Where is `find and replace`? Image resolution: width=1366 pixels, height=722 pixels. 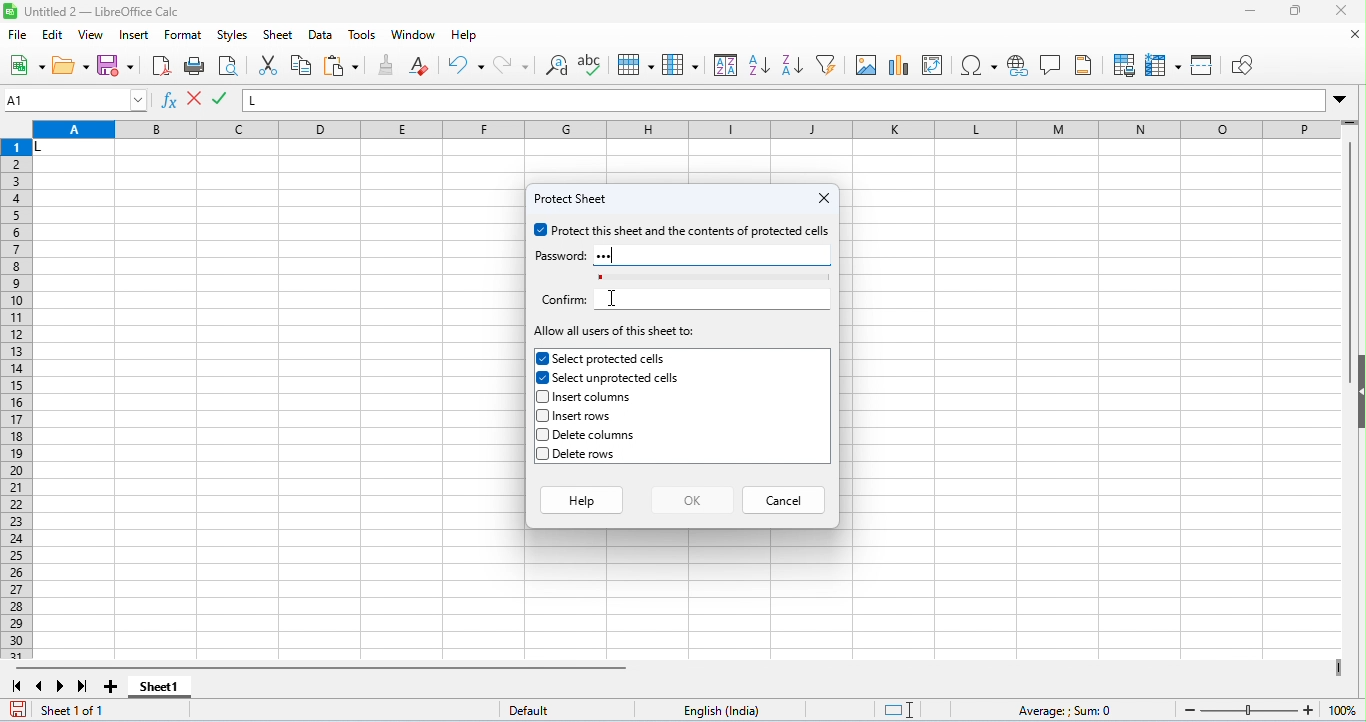
find and replace is located at coordinates (559, 67).